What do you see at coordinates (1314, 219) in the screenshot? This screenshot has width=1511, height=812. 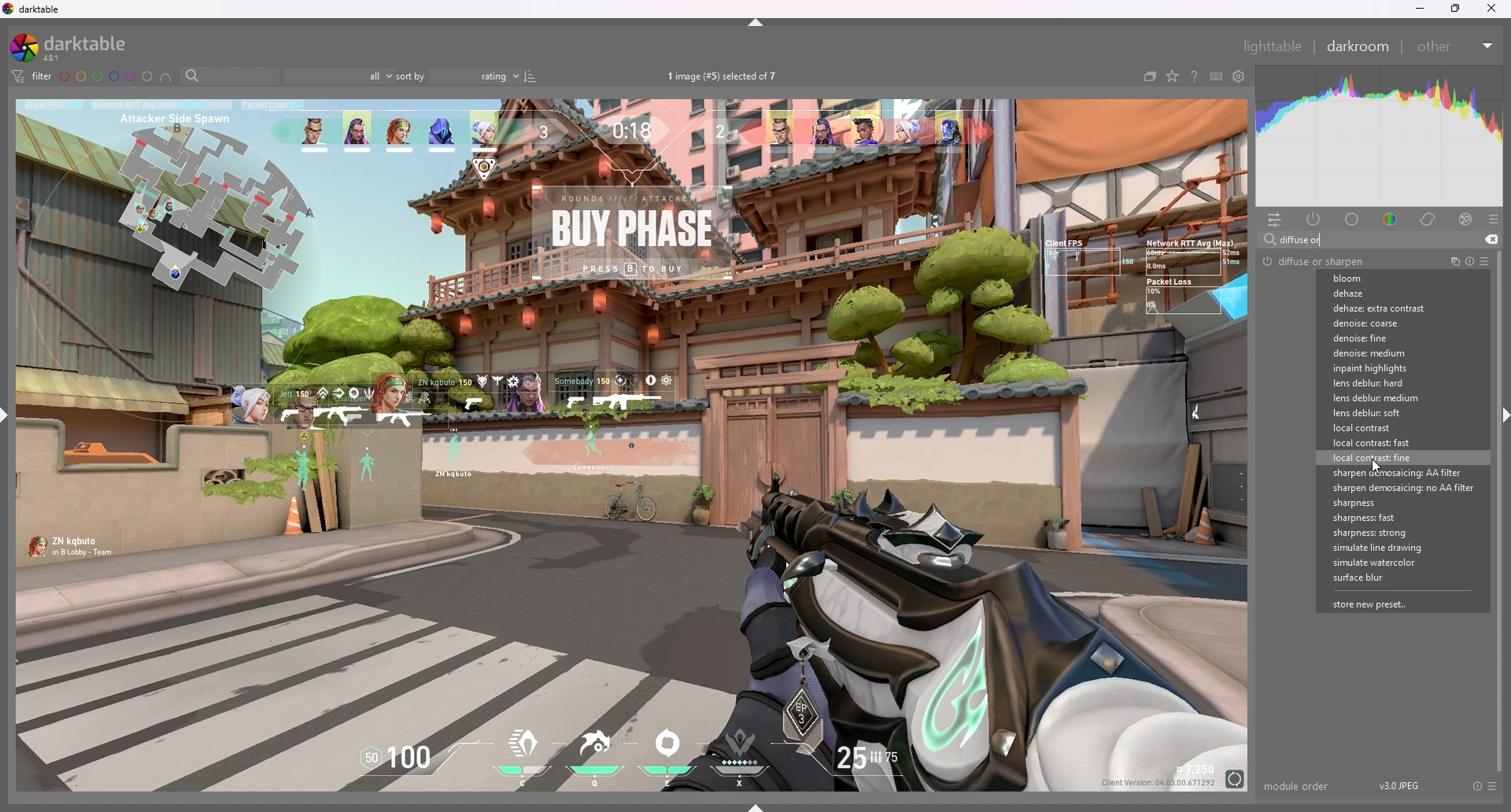 I see `active modules` at bounding box center [1314, 219].